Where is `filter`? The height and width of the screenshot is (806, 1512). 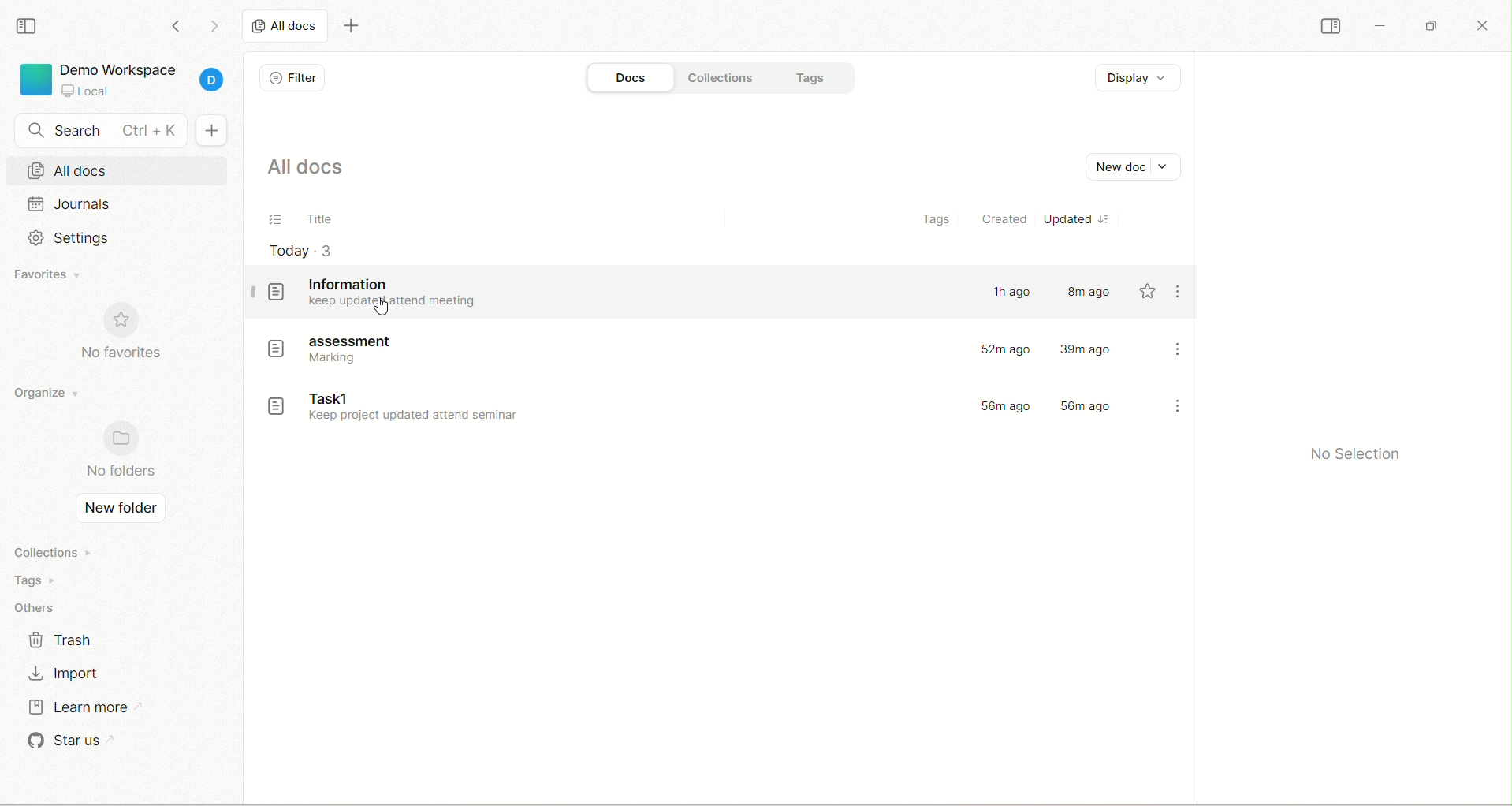
filter is located at coordinates (293, 80).